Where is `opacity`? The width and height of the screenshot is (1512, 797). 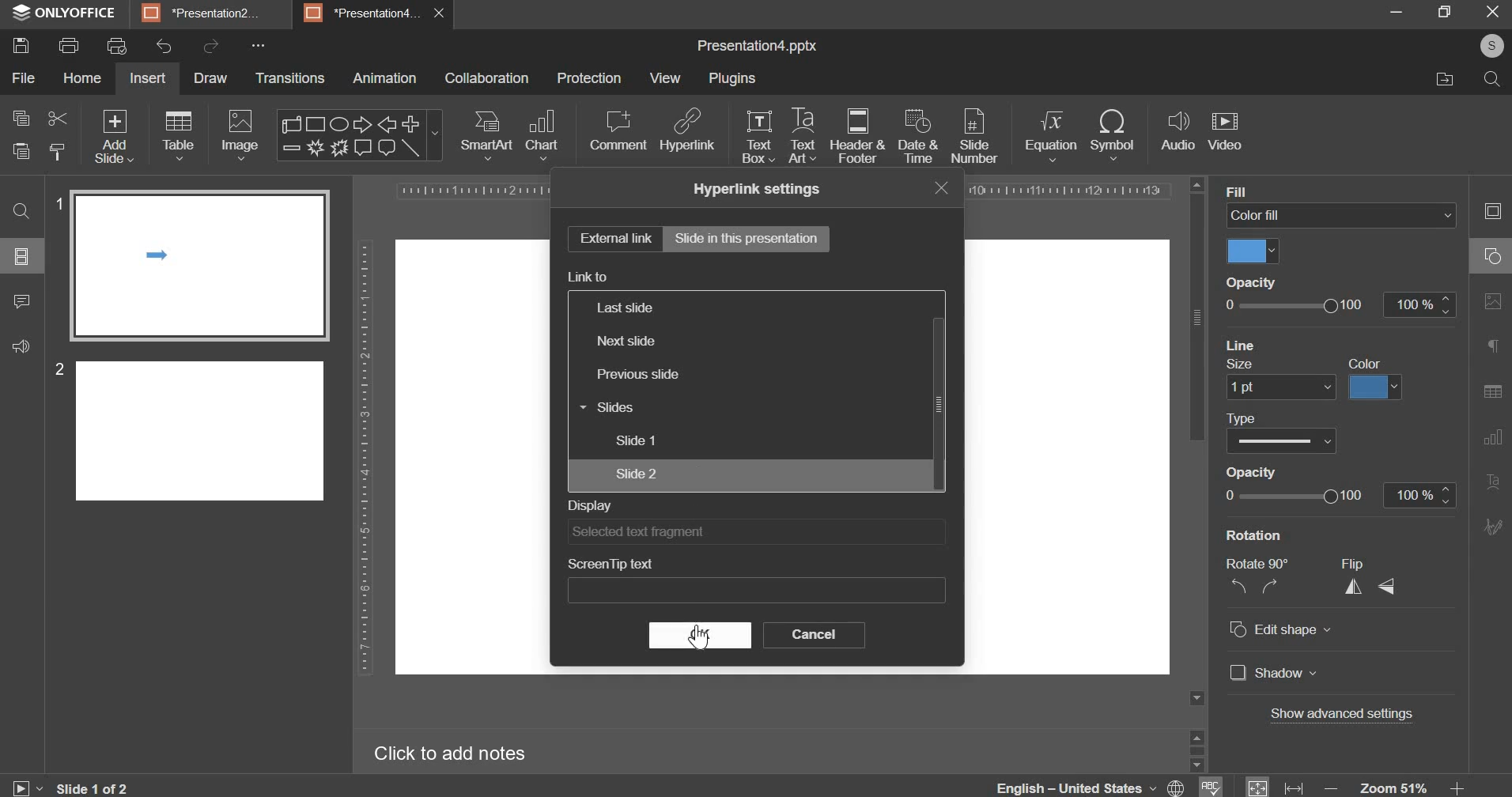 opacity is located at coordinates (1341, 304).